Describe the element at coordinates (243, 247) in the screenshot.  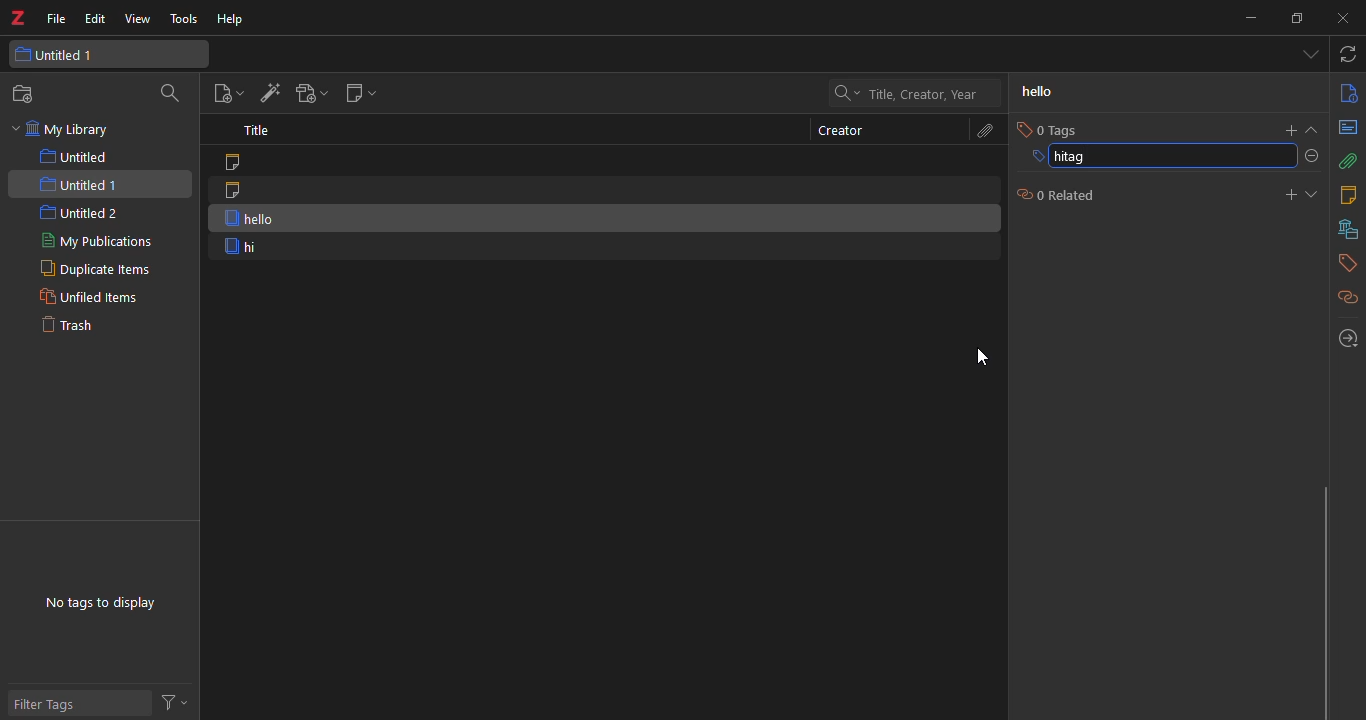
I see `hi` at that location.